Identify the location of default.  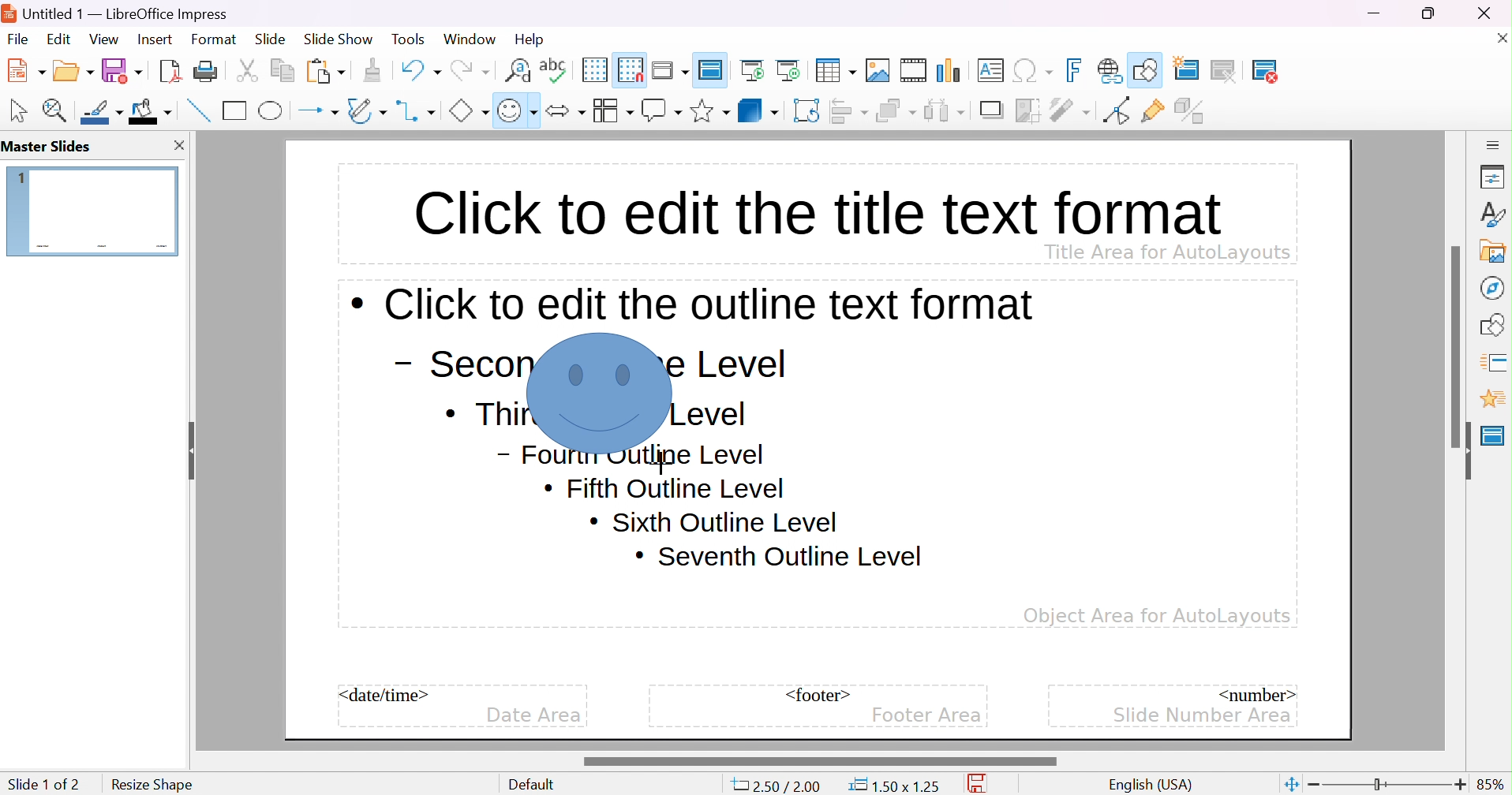
(536, 785).